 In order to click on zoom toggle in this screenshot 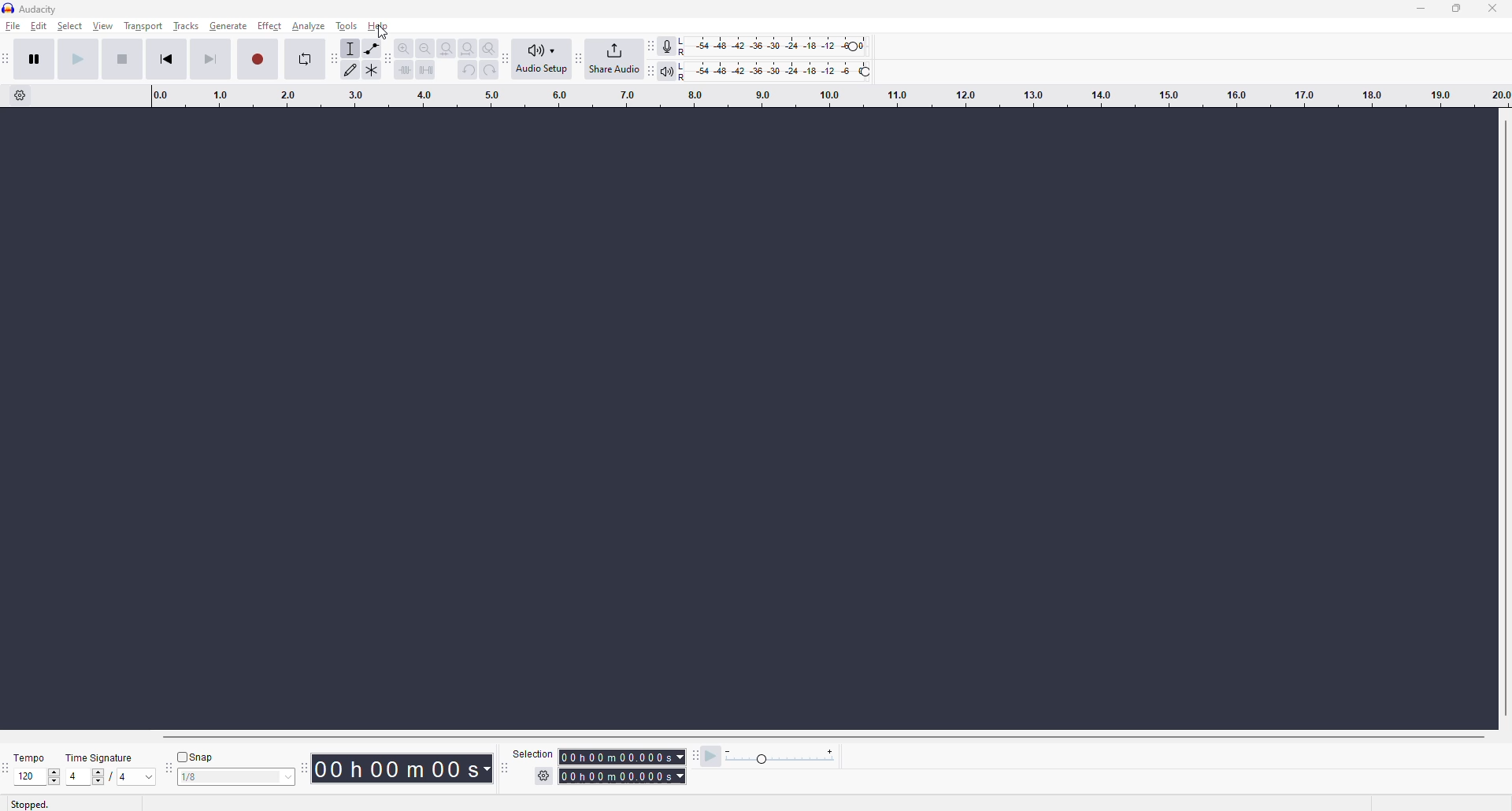, I will do `click(488, 49)`.